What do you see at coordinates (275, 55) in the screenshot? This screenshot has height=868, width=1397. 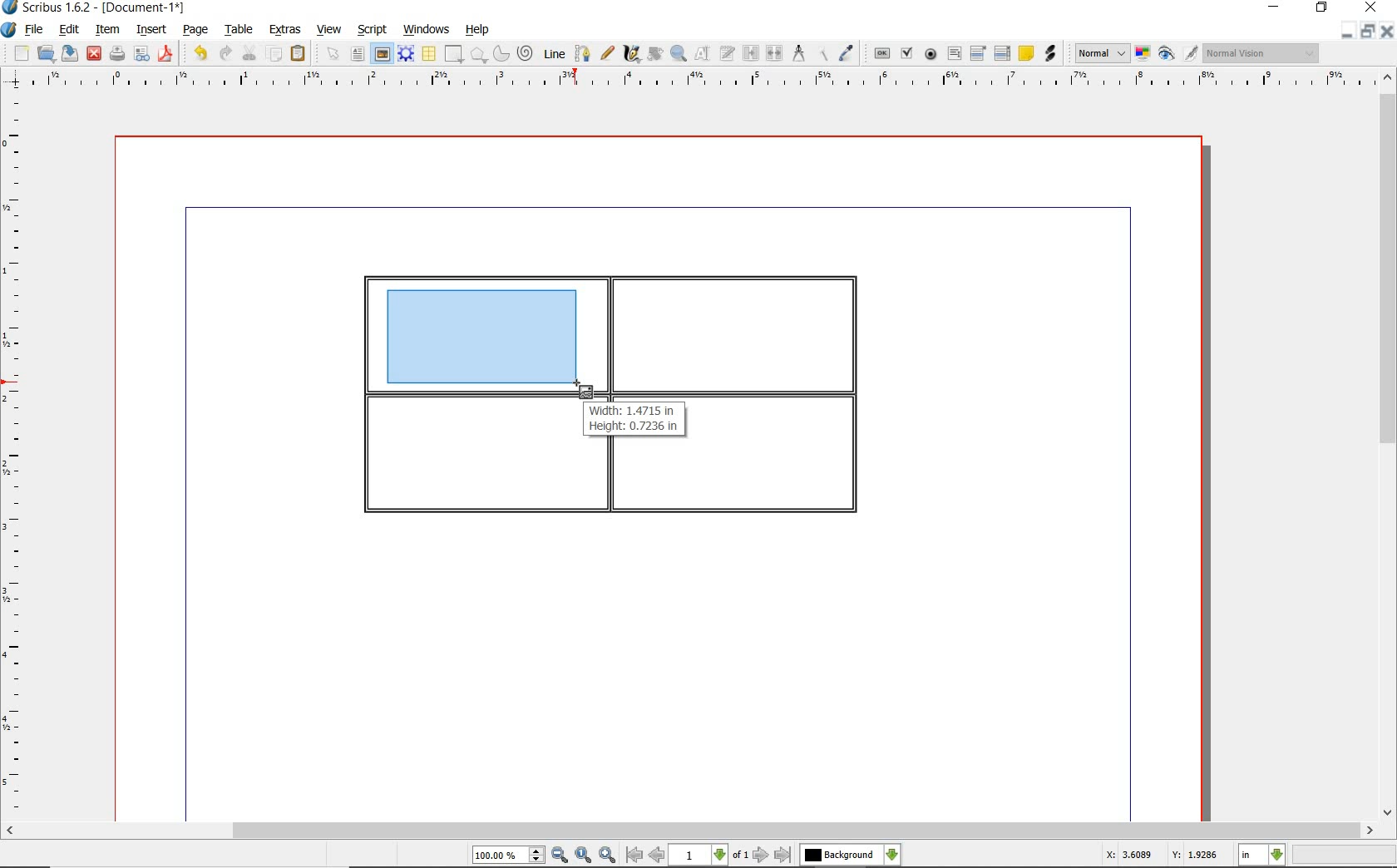 I see `copy` at bounding box center [275, 55].